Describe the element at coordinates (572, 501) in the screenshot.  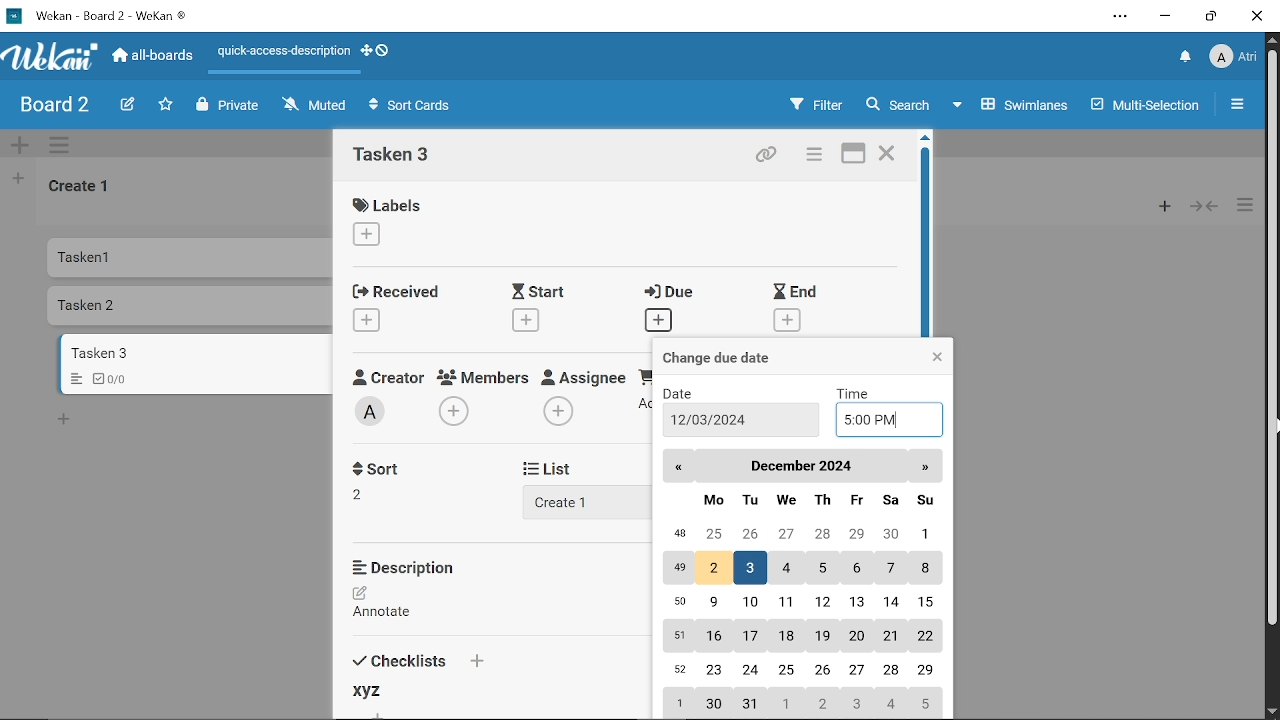
I see `Add list` at that location.